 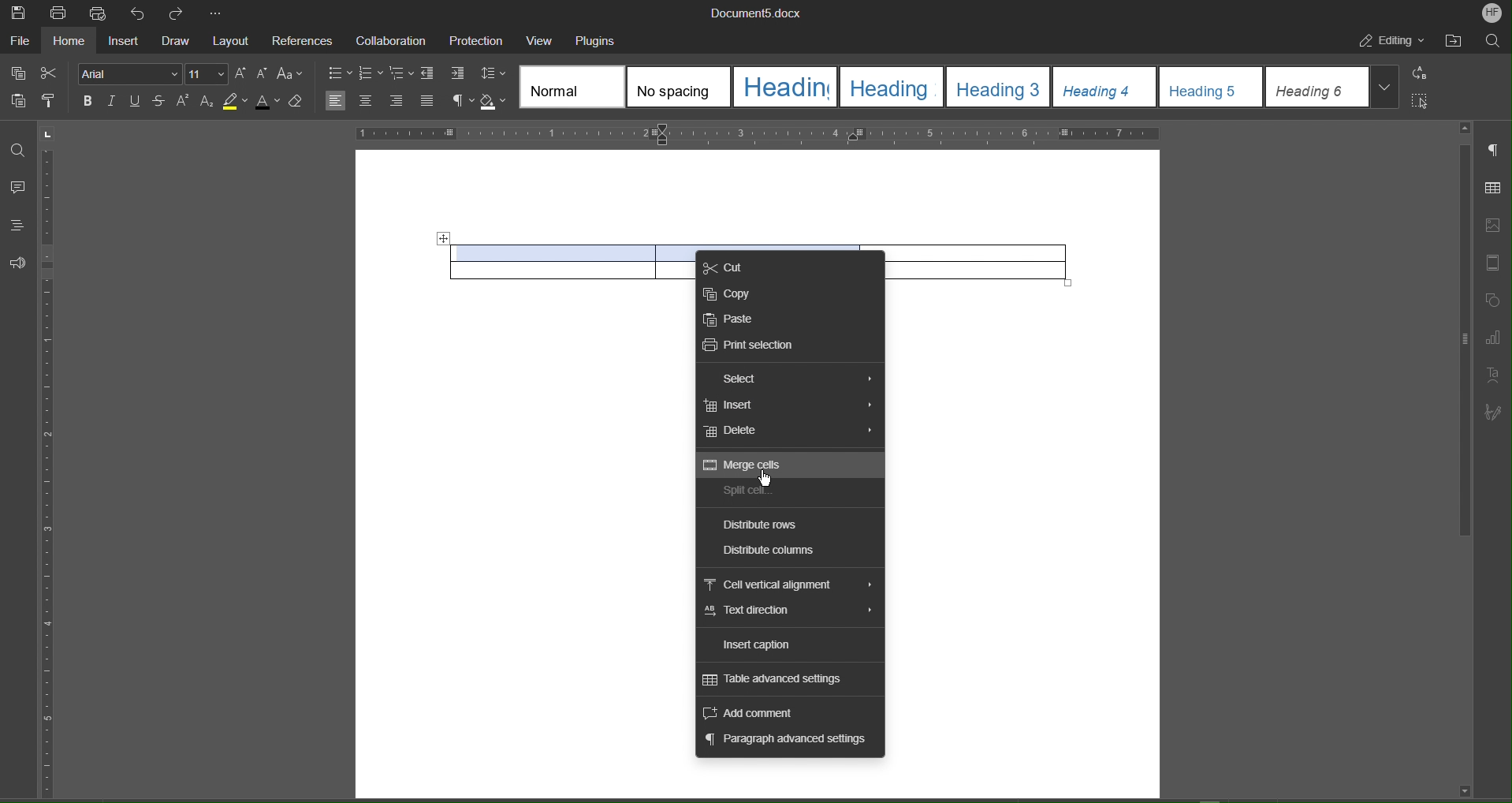 What do you see at coordinates (1496, 373) in the screenshot?
I see `Text Art` at bounding box center [1496, 373].